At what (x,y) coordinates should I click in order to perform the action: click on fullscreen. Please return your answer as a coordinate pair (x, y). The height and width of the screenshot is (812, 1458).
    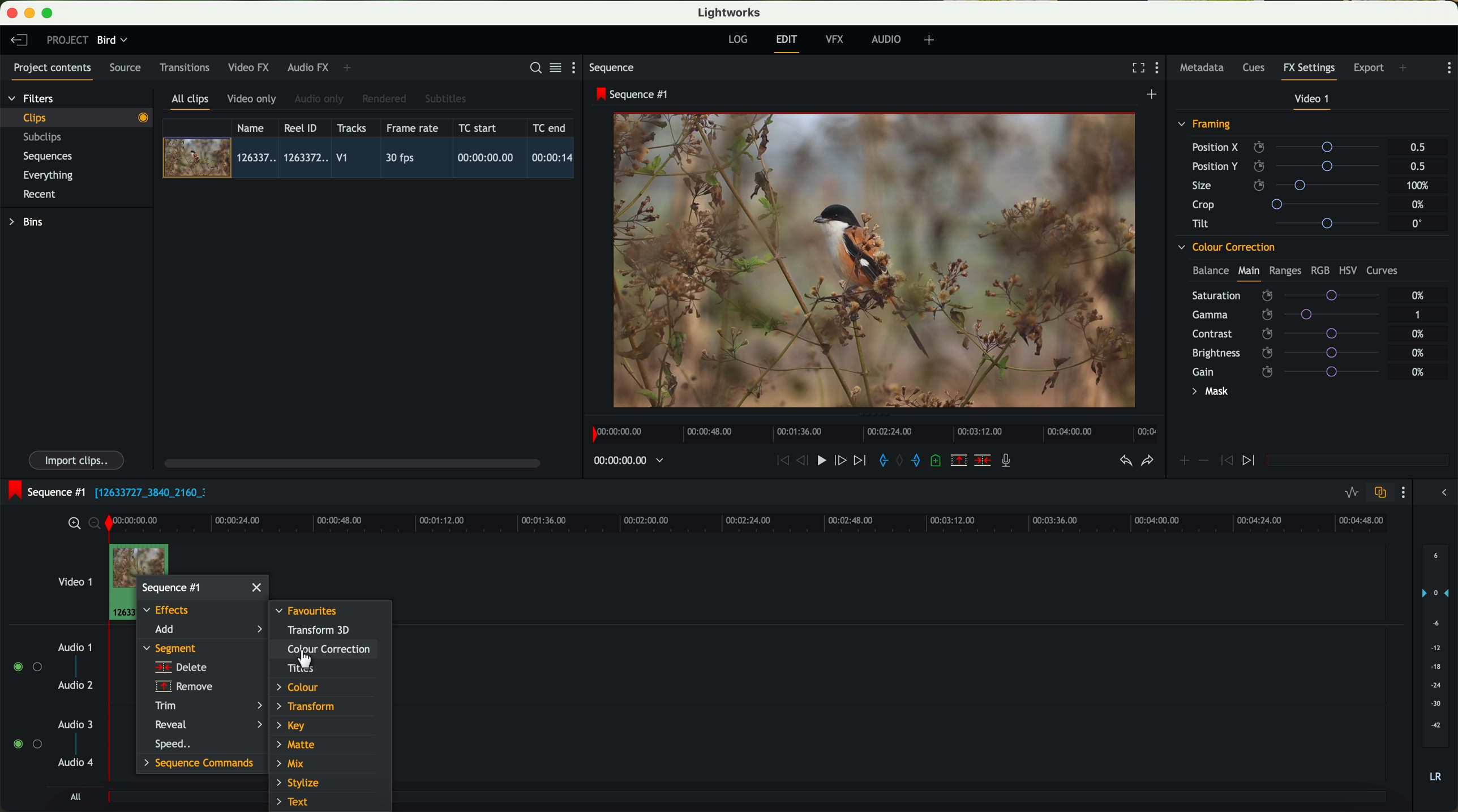
    Looking at the image, I should click on (1136, 67).